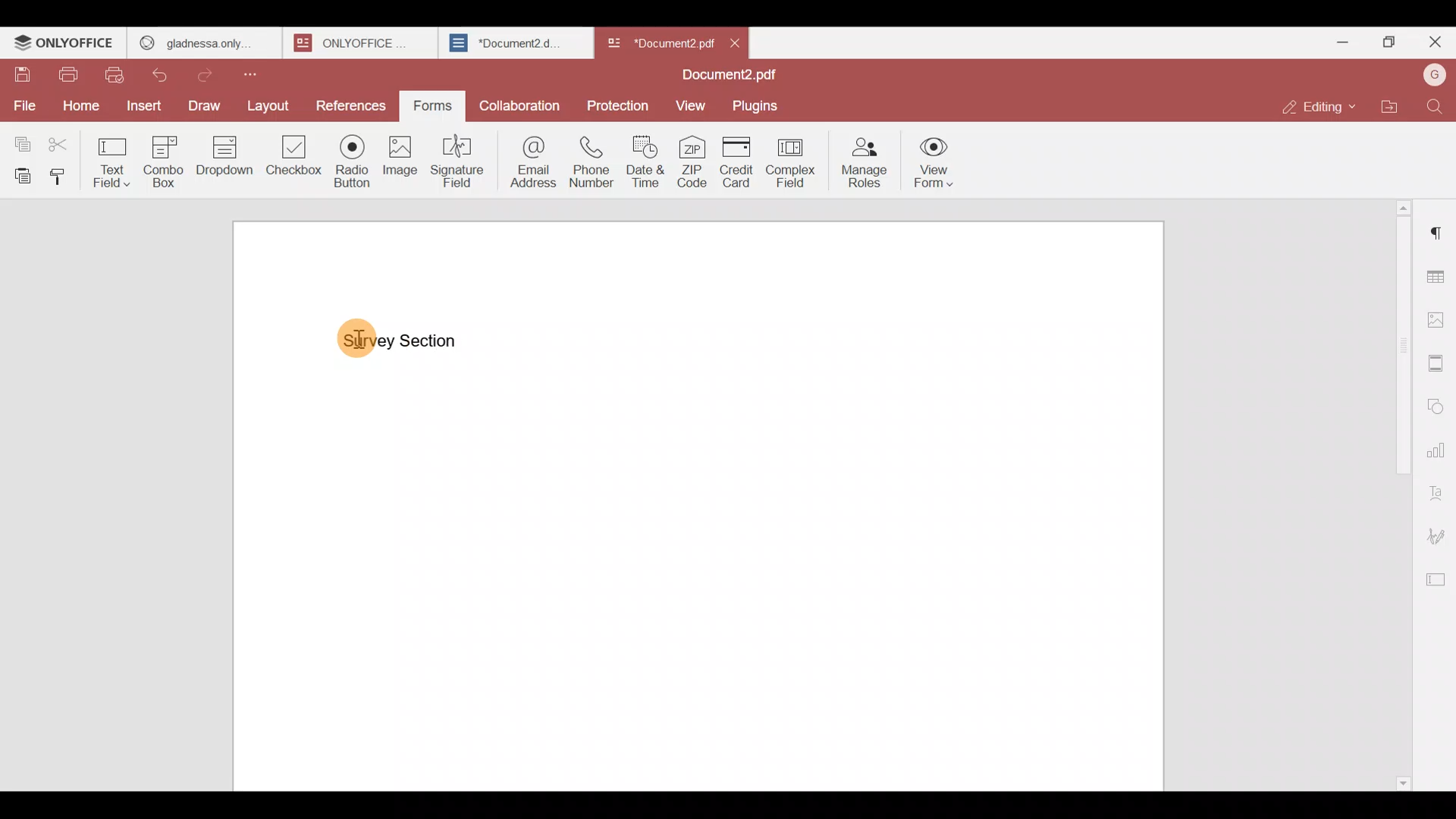  What do you see at coordinates (687, 104) in the screenshot?
I see `View` at bounding box center [687, 104].